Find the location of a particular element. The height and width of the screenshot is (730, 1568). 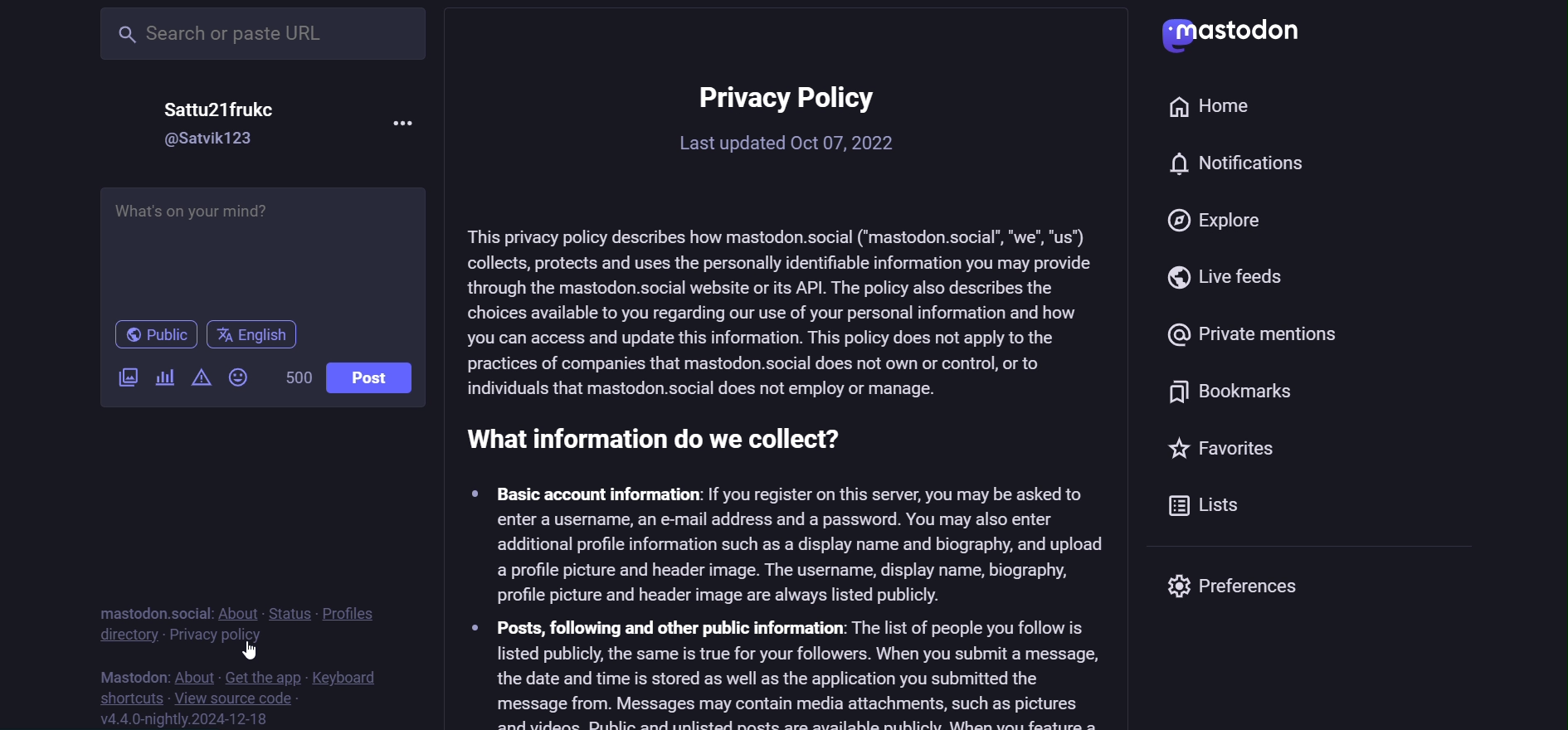

home is located at coordinates (1222, 110).